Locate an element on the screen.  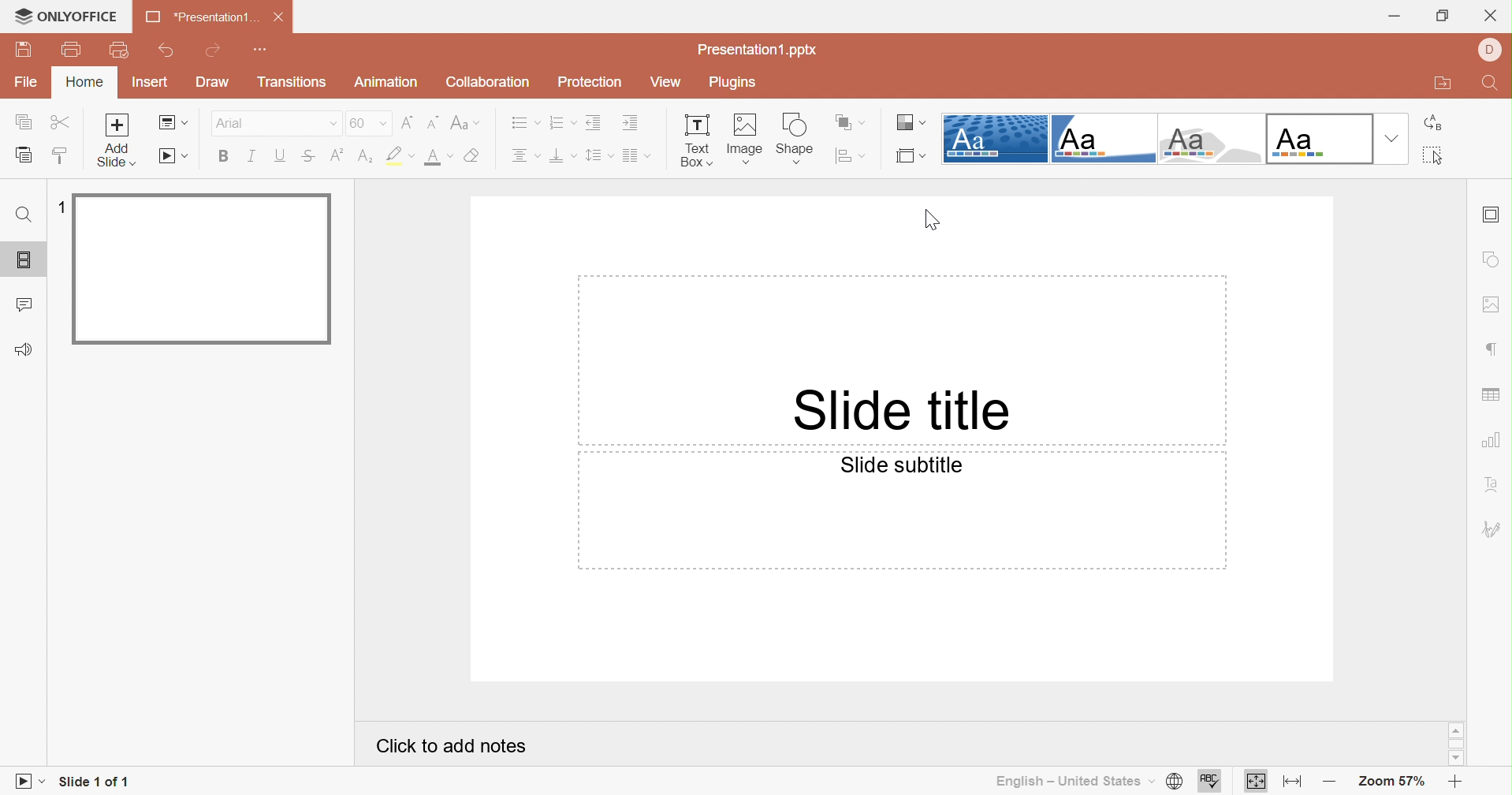
Numbering is located at coordinates (560, 121).